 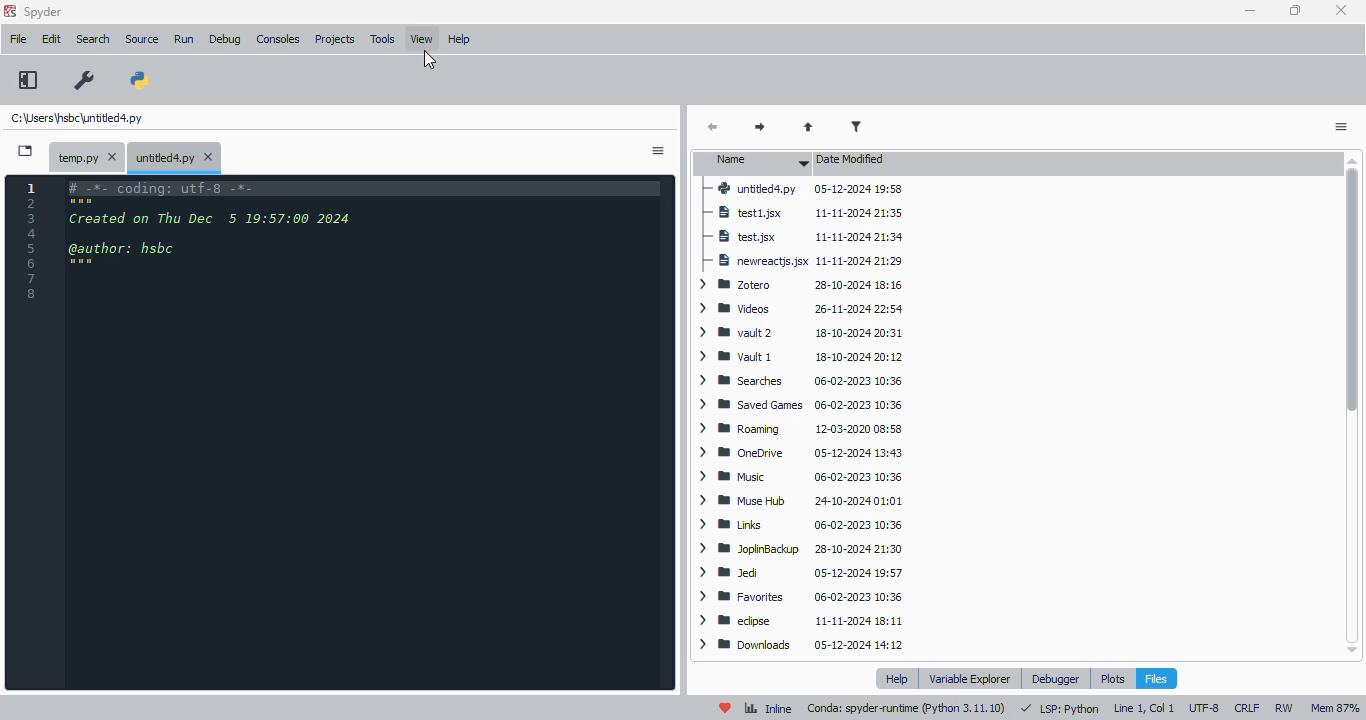 What do you see at coordinates (802, 574) in the screenshot?
I see `Jedi` at bounding box center [802, 574].